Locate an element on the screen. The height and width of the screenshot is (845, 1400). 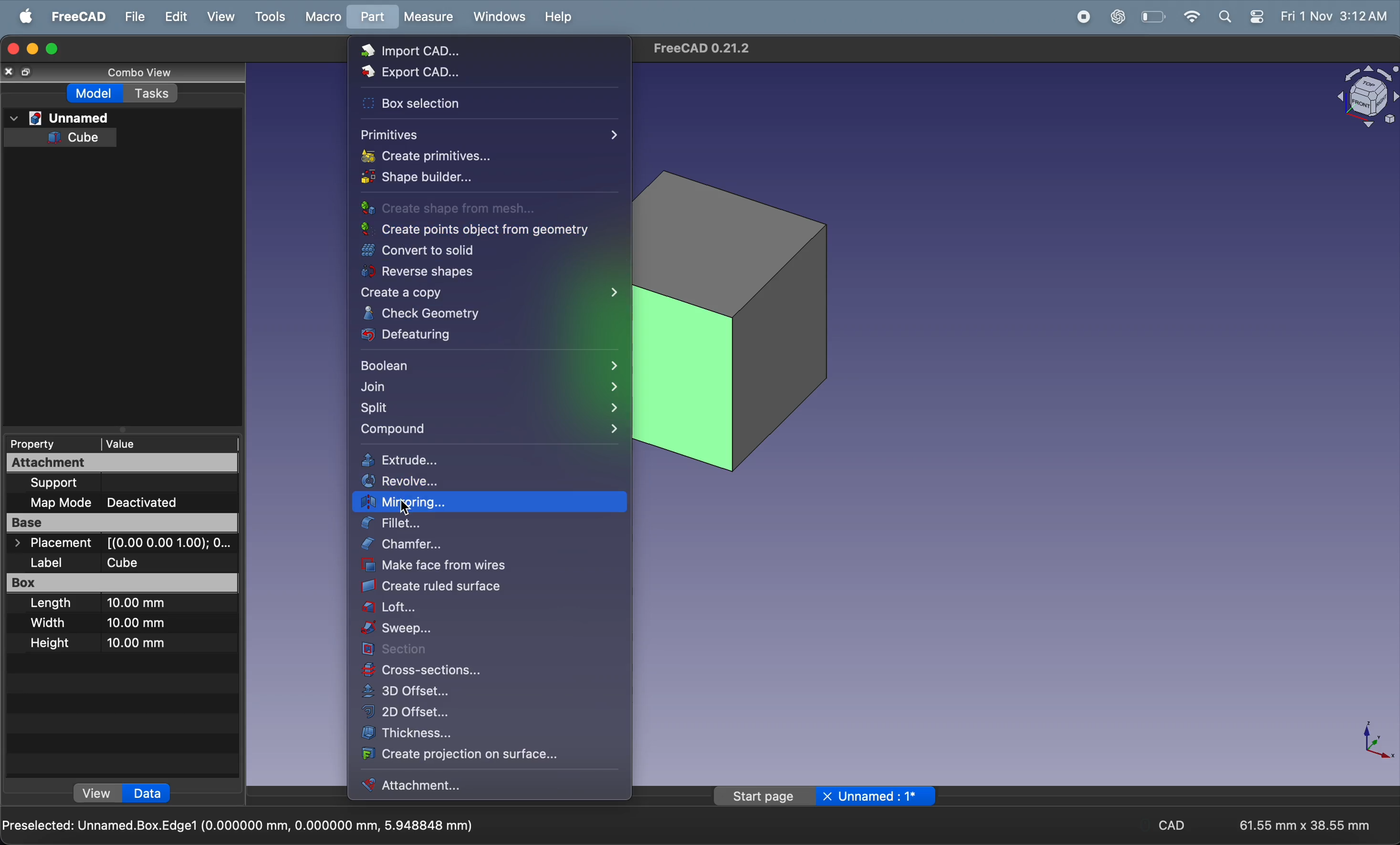
resize is located at coordinates (29, 71).